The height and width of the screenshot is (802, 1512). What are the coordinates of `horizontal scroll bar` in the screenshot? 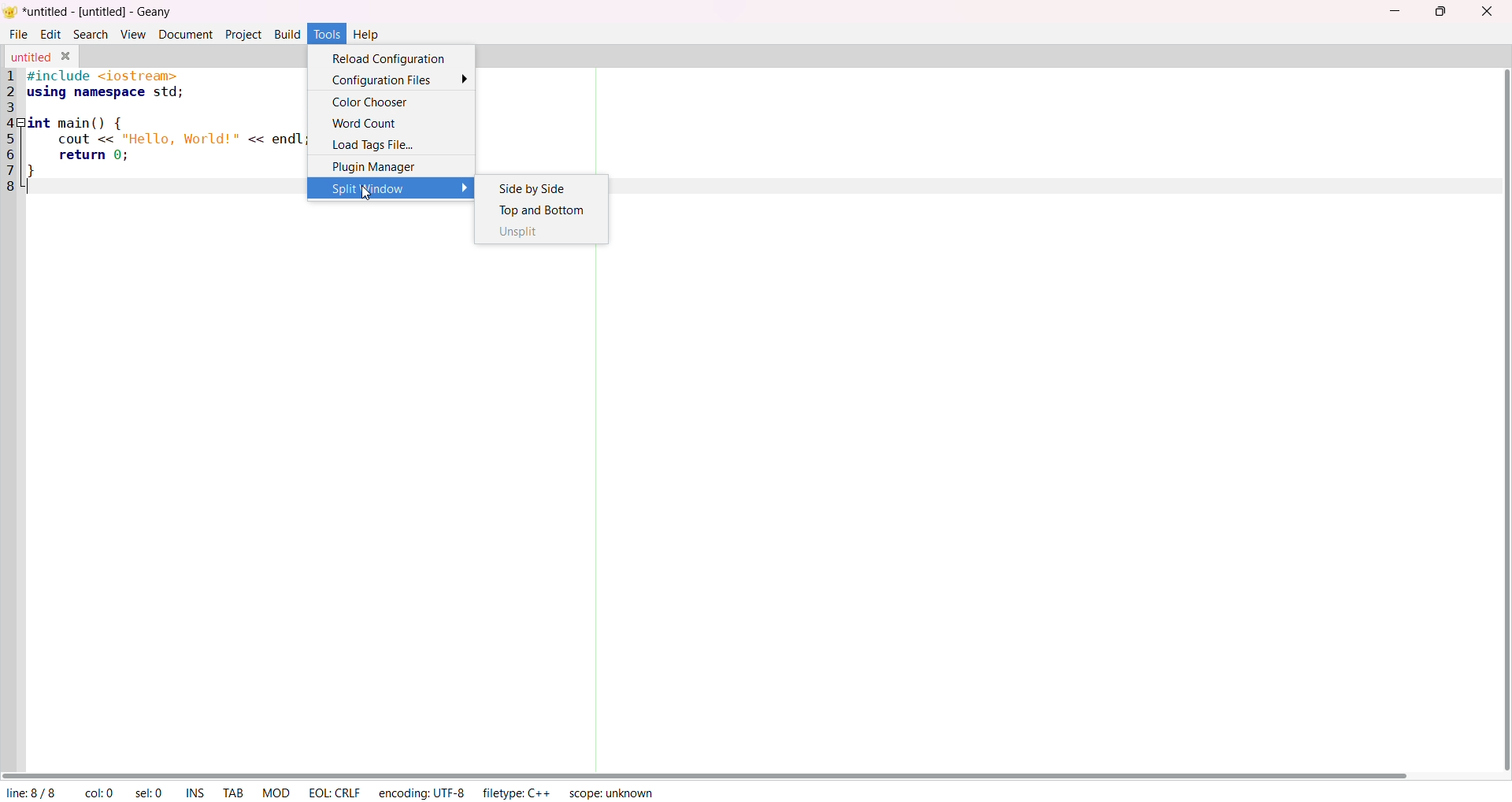 It's located at (712, 773).